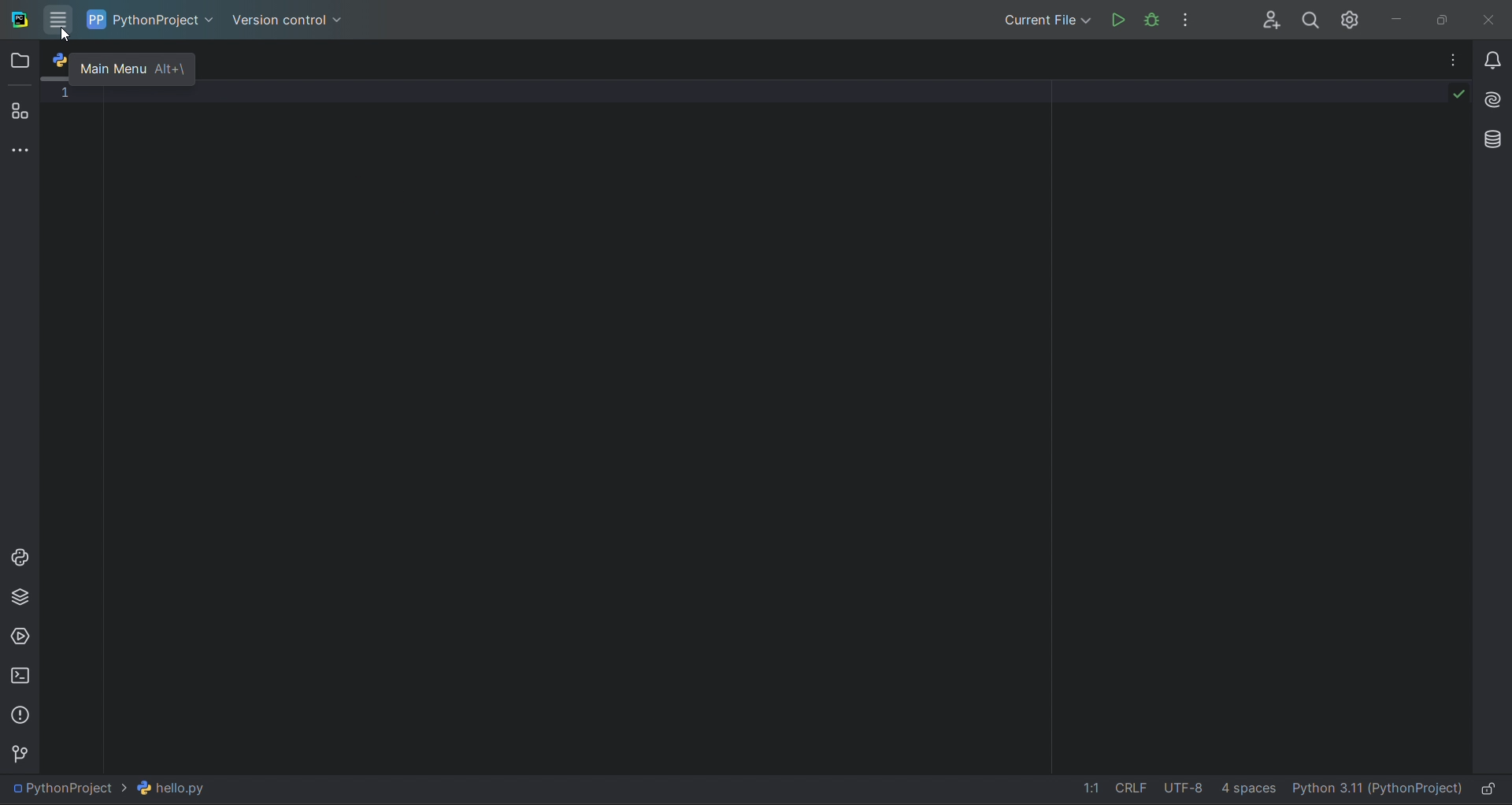 The image size is (1512, 805). What do you see at coordinates (1117, 18) in the screenshot?
I see `run` at bounding box center [1117, 18].